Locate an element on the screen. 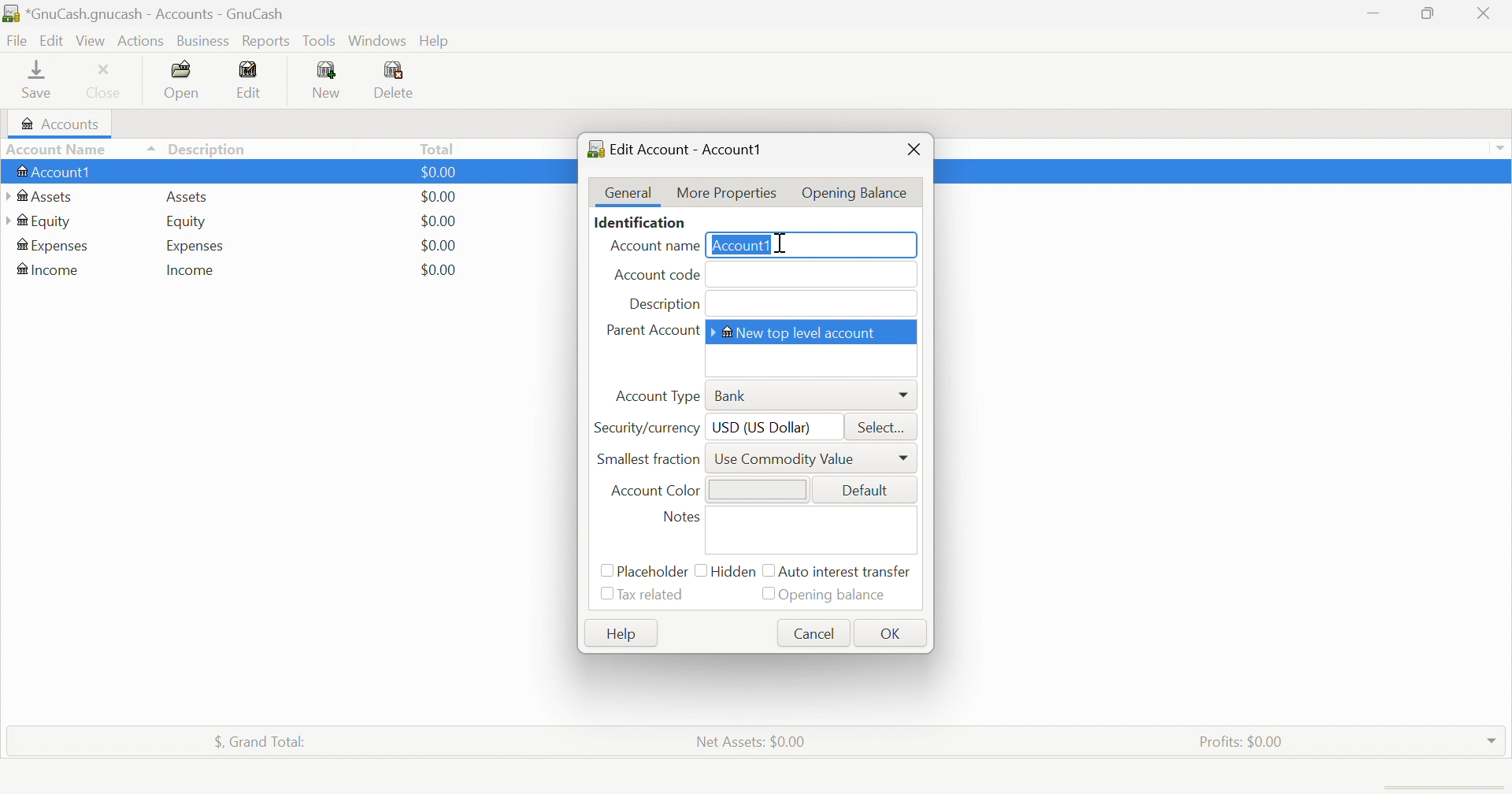 This screenshot has width=1512, height=794. $0.00 is located at coordinates (439, 171).